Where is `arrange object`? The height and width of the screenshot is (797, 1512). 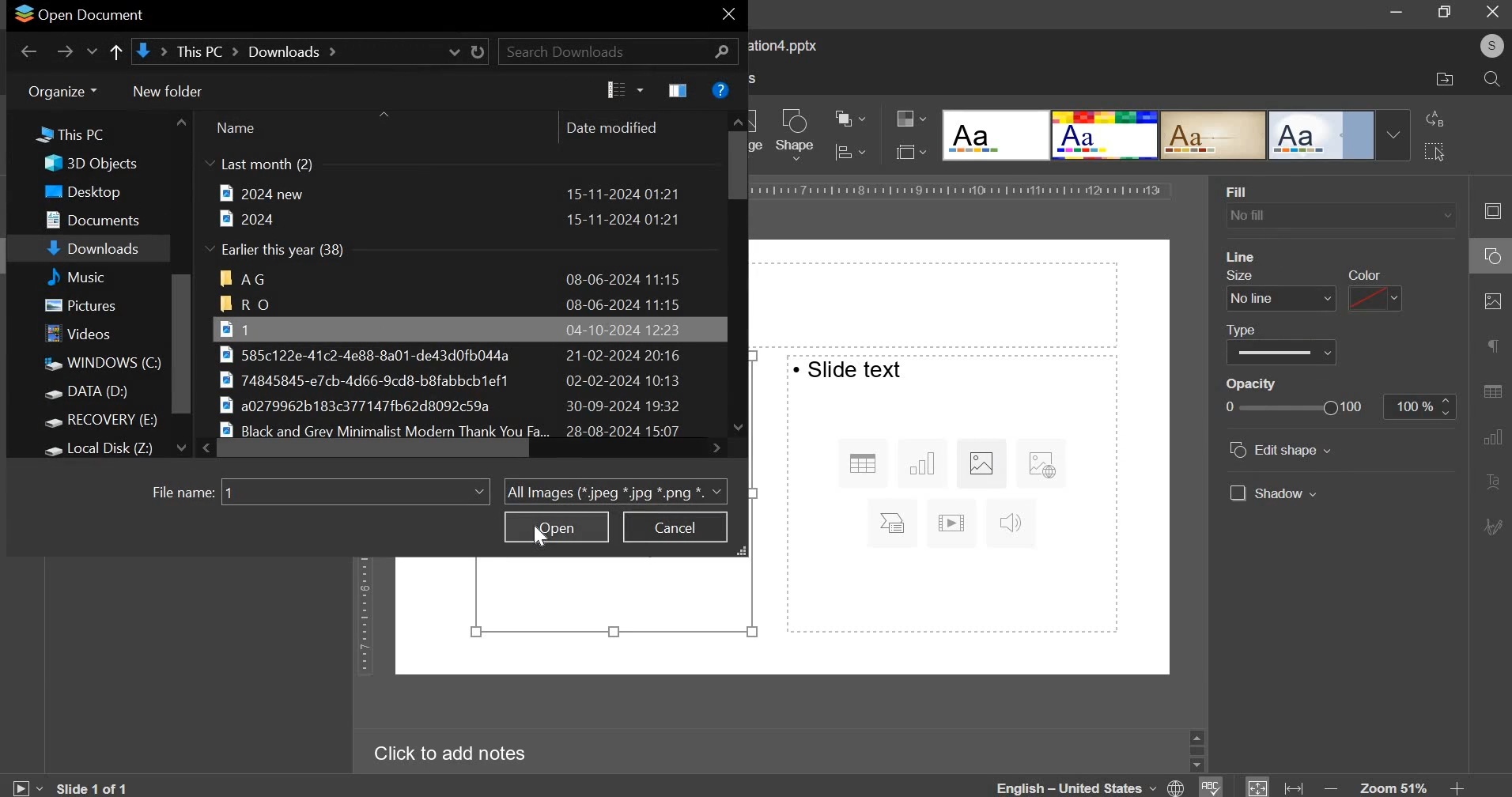 arrange object is located at coordinates (849, 118).